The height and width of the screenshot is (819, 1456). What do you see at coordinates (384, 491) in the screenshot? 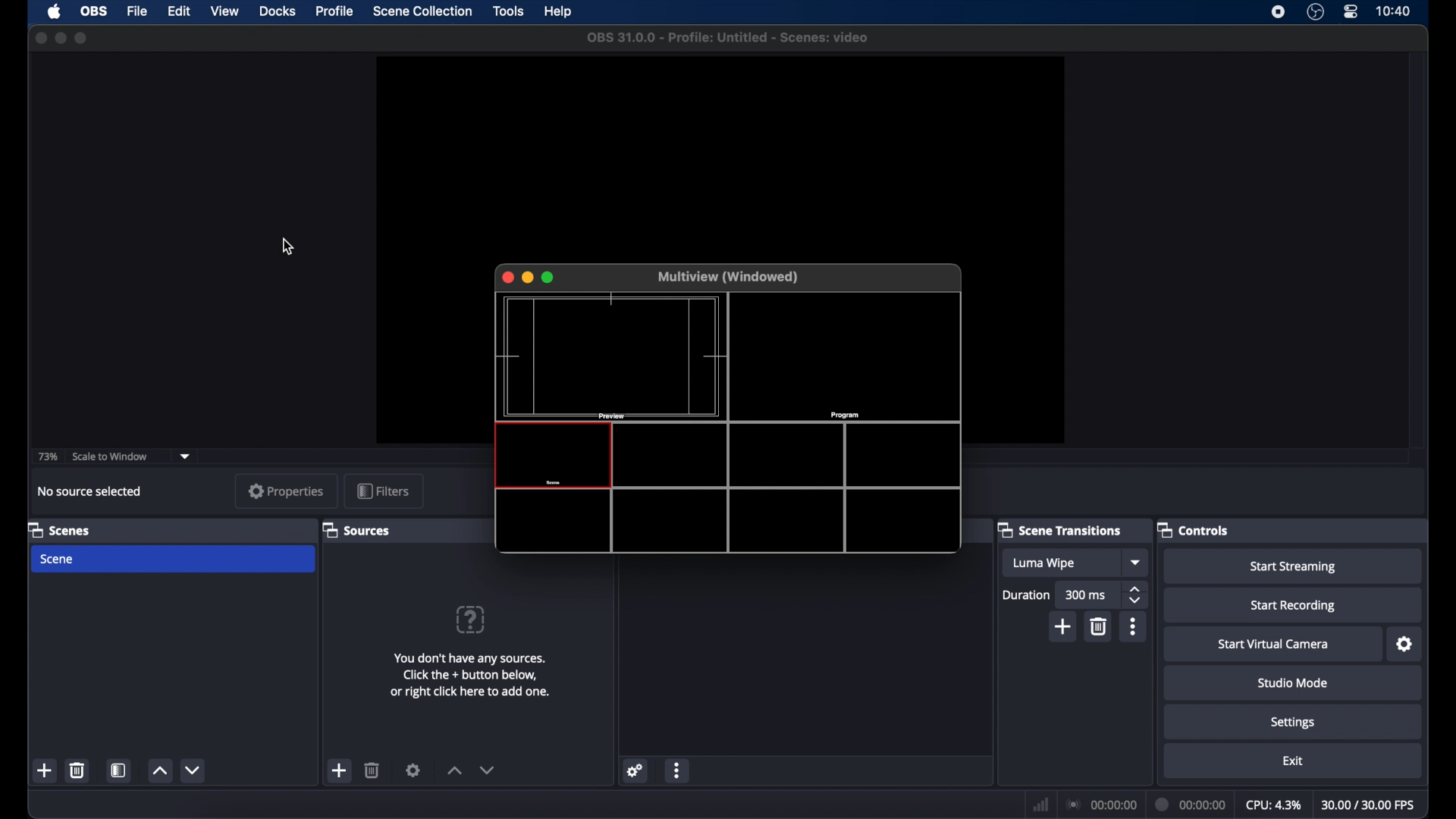
I see `filters` at bounding box center [384, 491].